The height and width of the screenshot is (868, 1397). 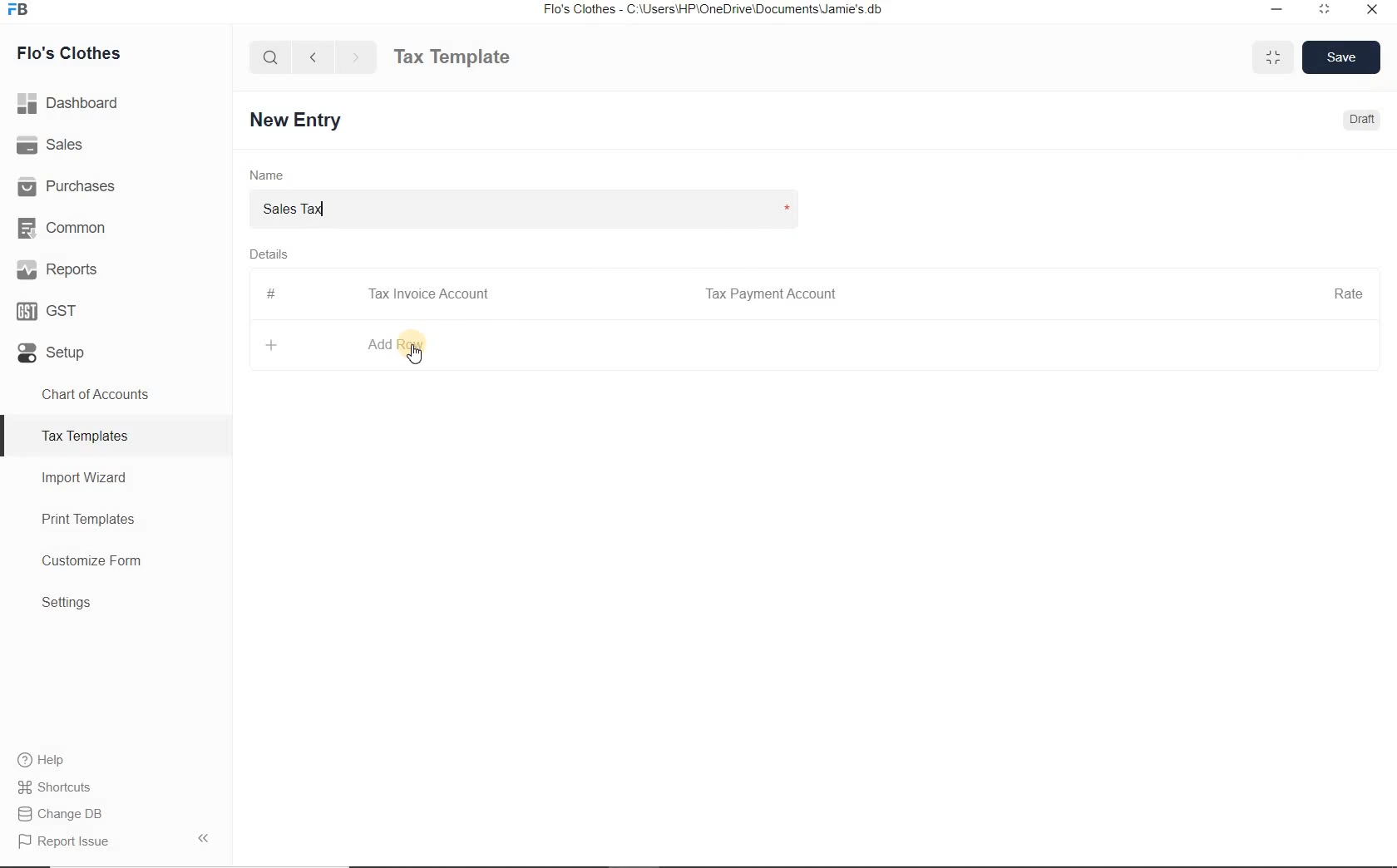 I want to click on Sales, so click(x=116, y=144).